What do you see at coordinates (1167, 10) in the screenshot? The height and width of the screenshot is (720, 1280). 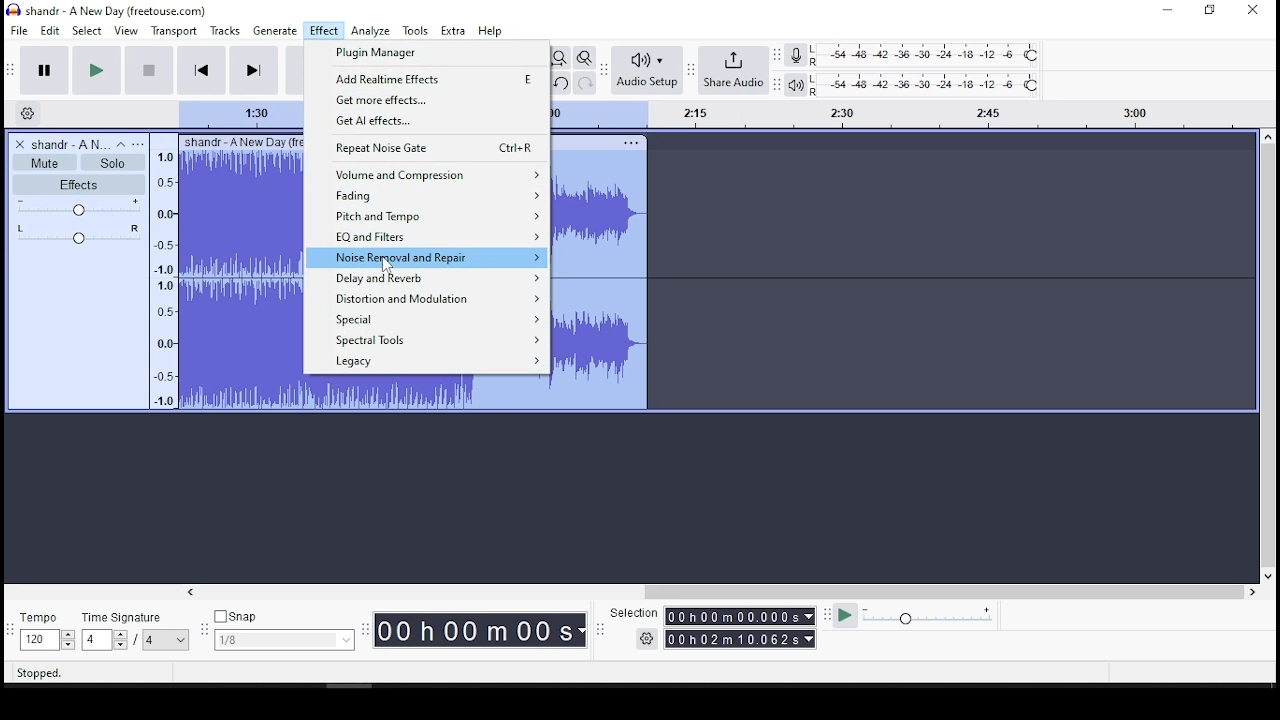 I see `minimize` at bounding box center [1167, 10].